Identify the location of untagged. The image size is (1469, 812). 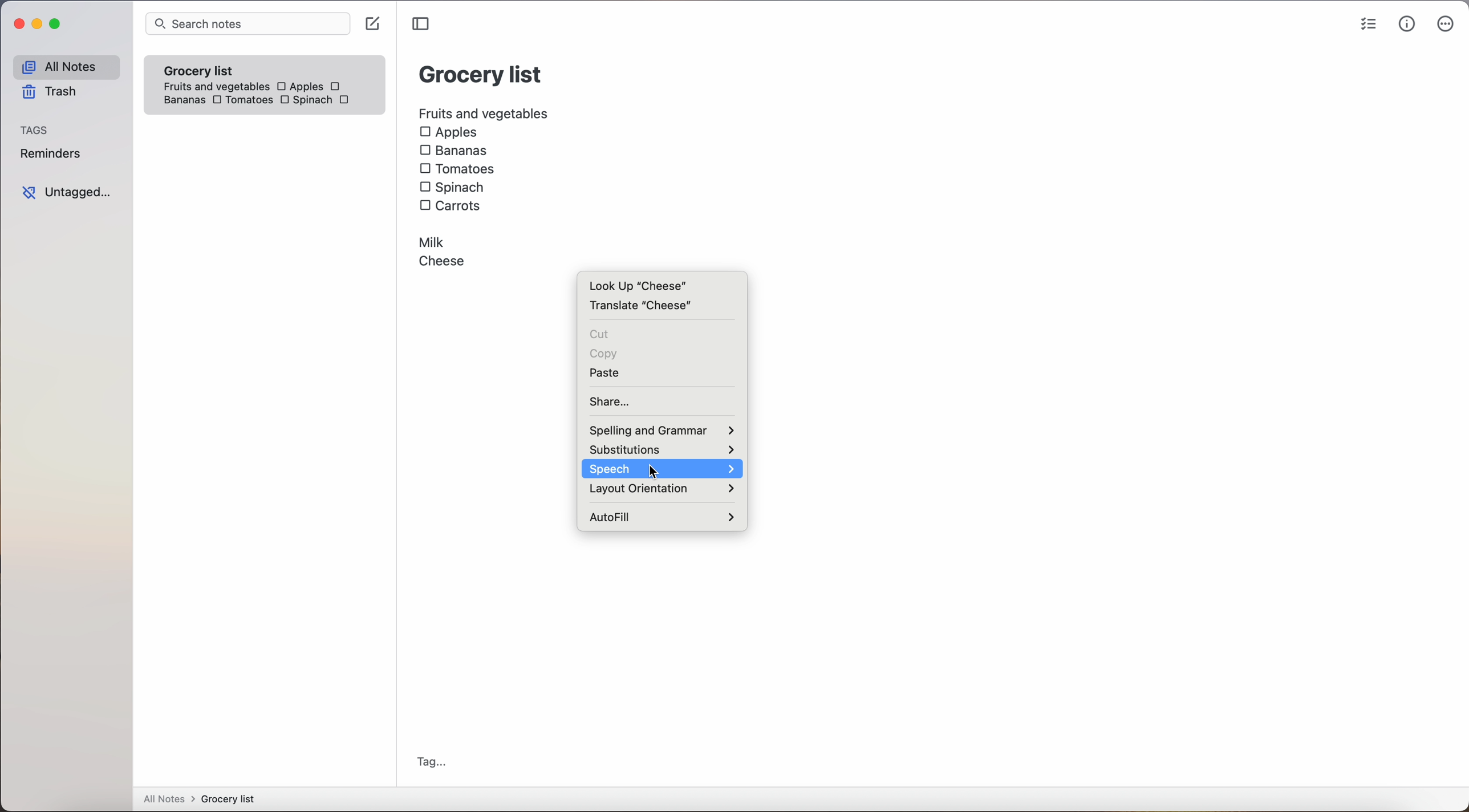
(66, 192).